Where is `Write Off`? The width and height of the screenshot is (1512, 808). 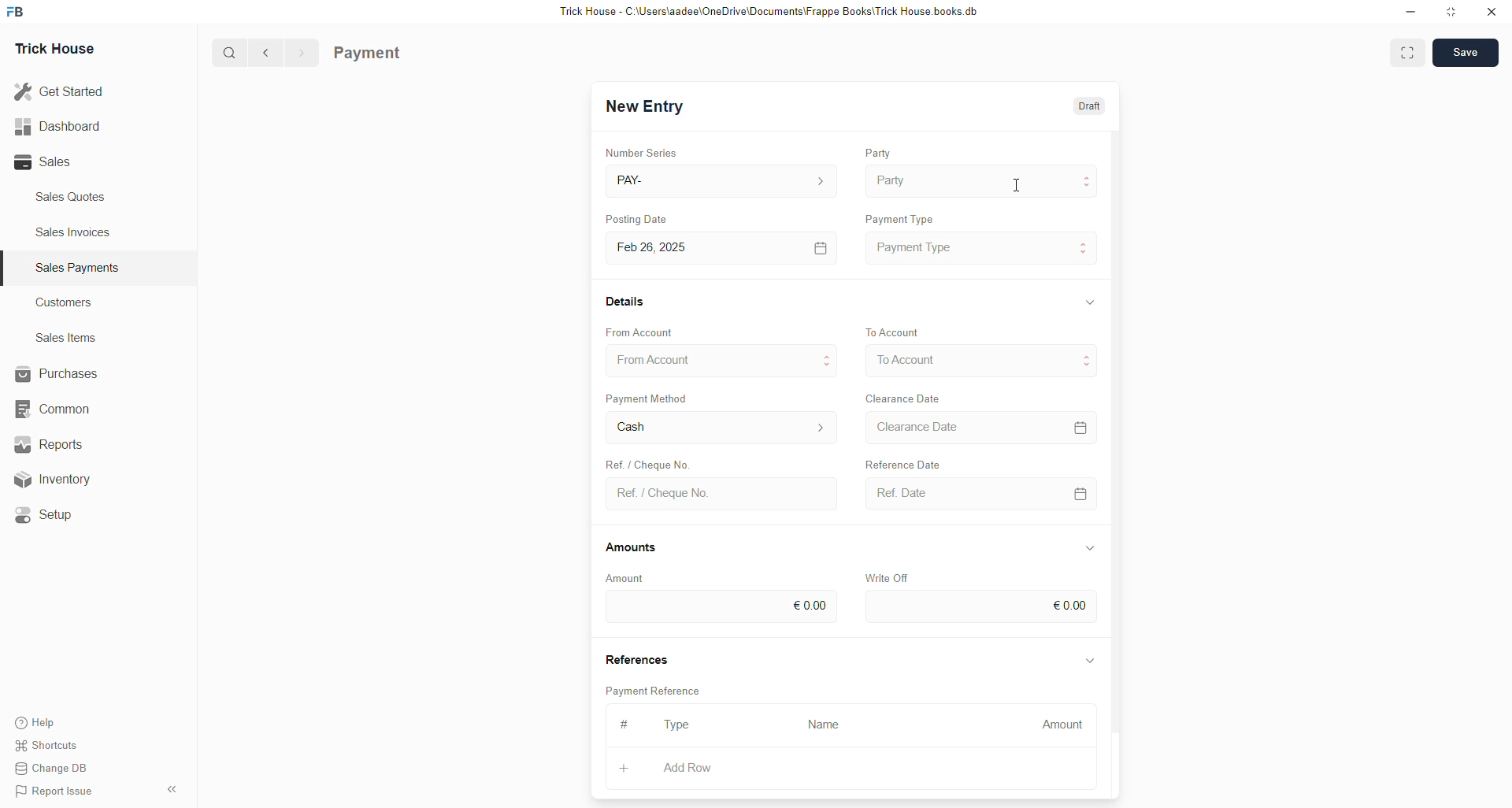 Write Off is located at coordinates (885, 578).